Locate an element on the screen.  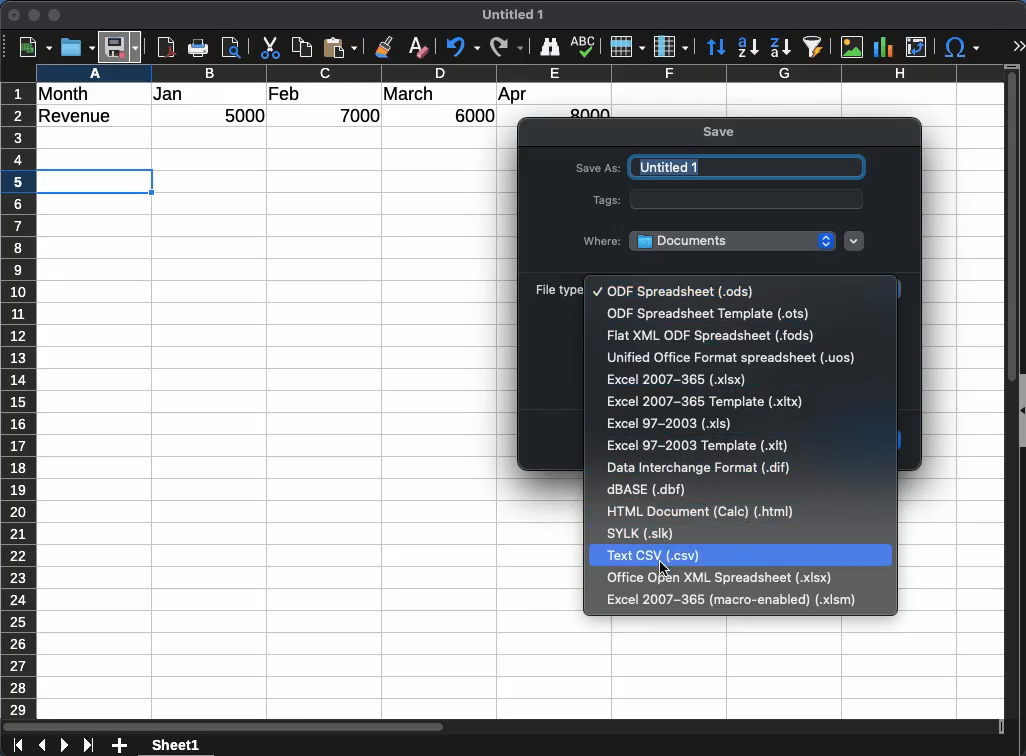
minimize is located at coordinates (35, 15).